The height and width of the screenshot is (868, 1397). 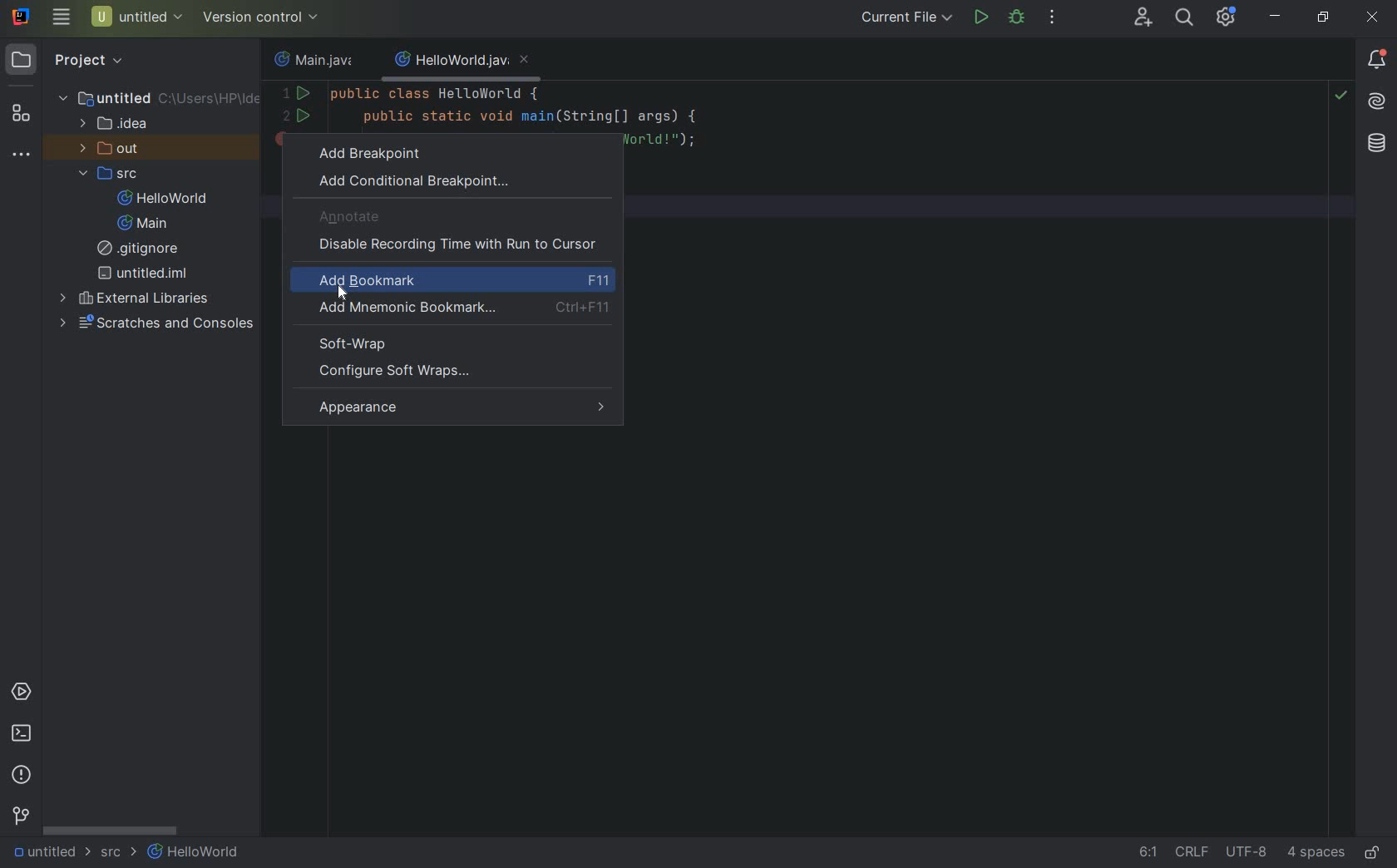 I want to click on make file read only, so click(x=1375, y=852).